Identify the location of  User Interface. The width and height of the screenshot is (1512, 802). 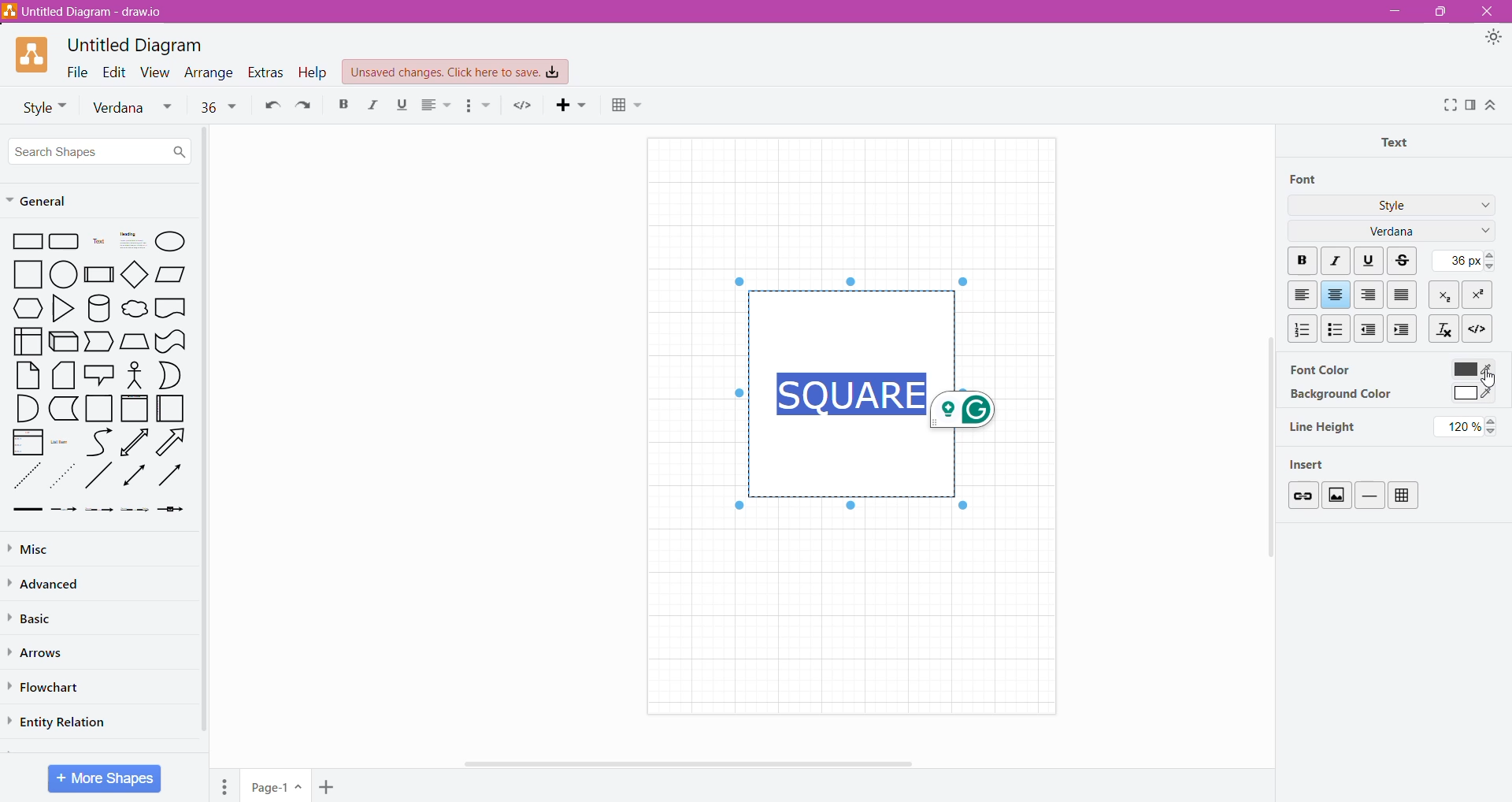
(27, 340).